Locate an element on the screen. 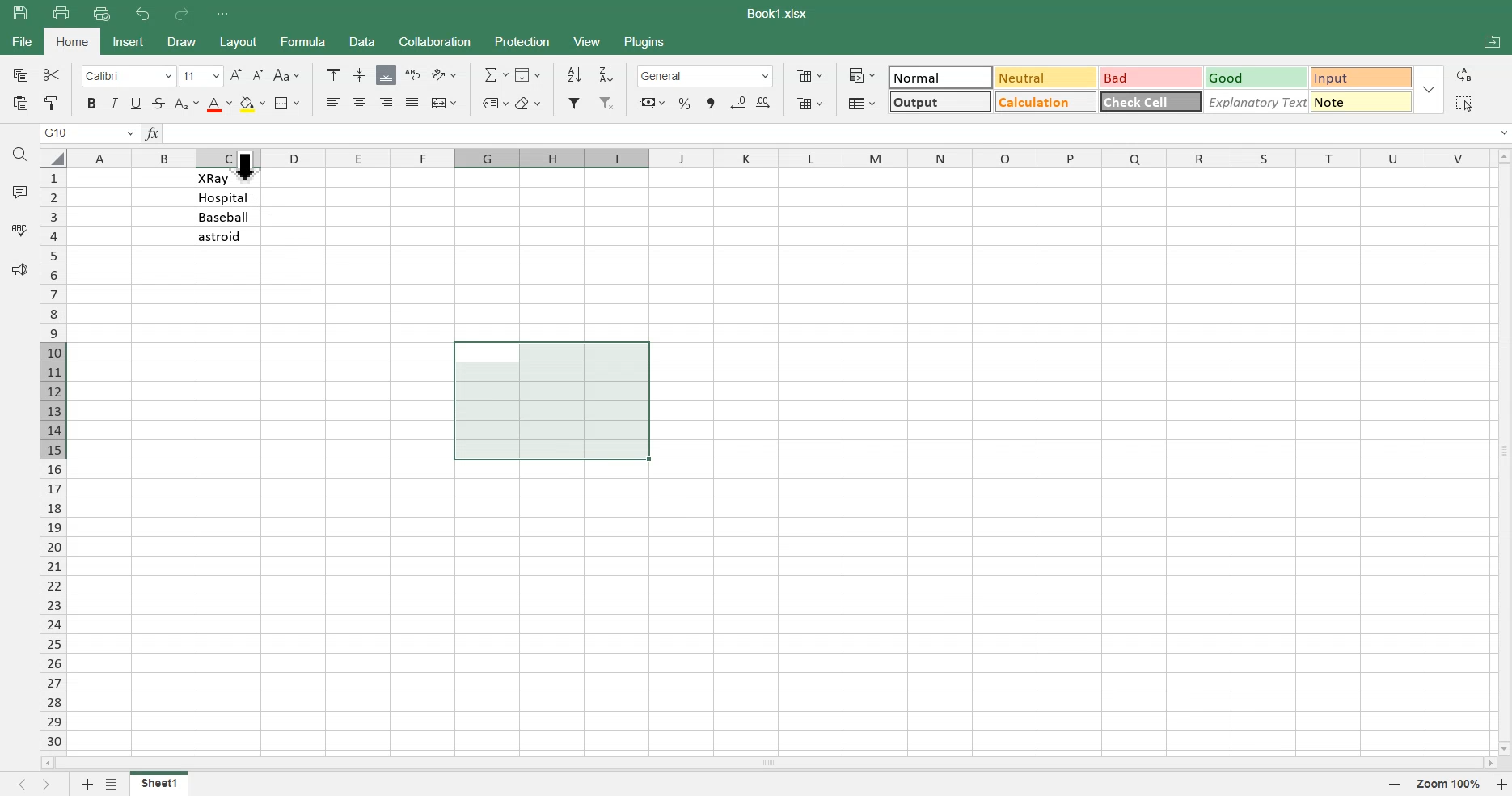 This screenshot has width=1512, height=796. Print is located at coordinates (61, 12).